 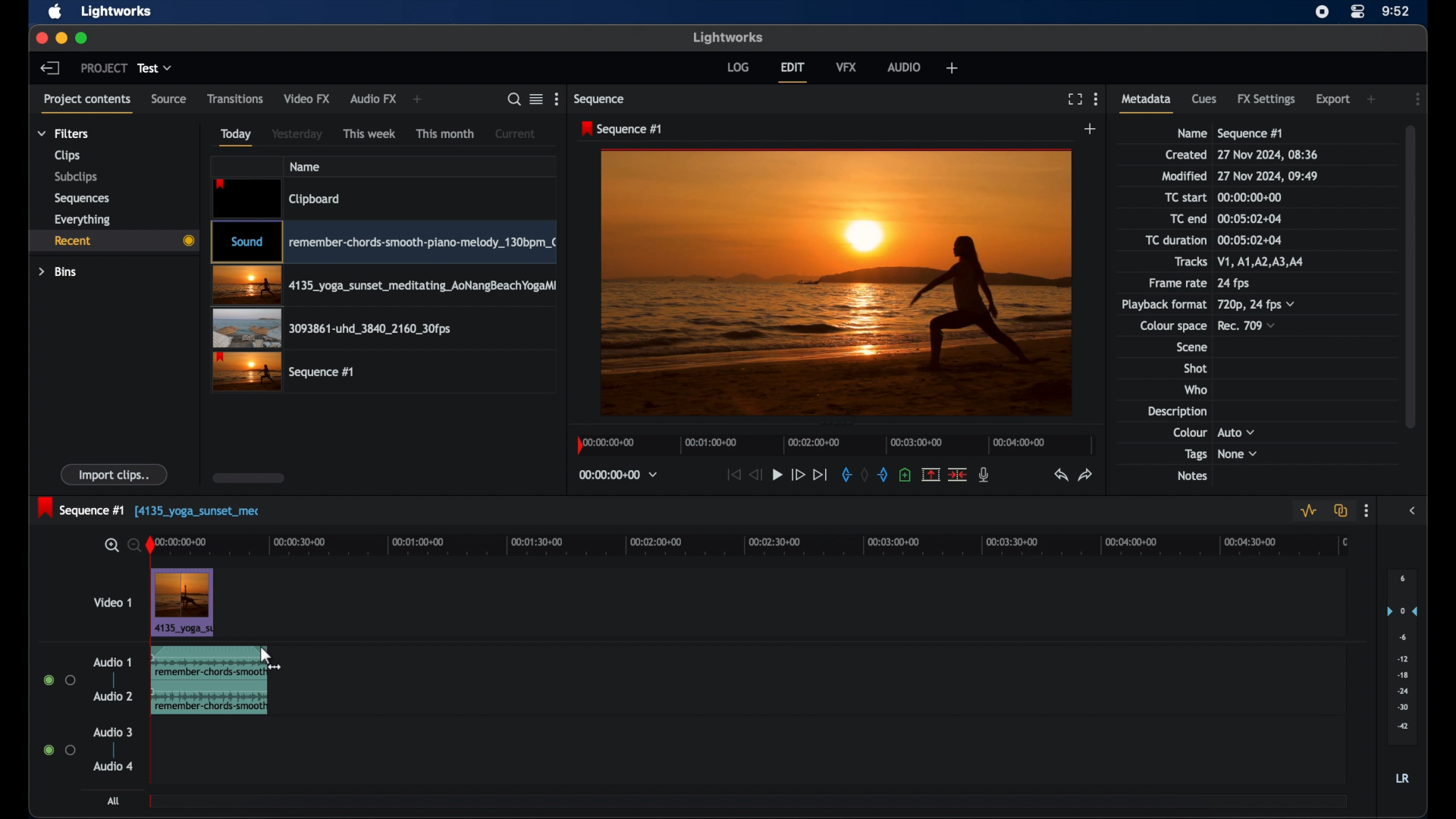 I want to click on video clip, so click(x=383, y=242).